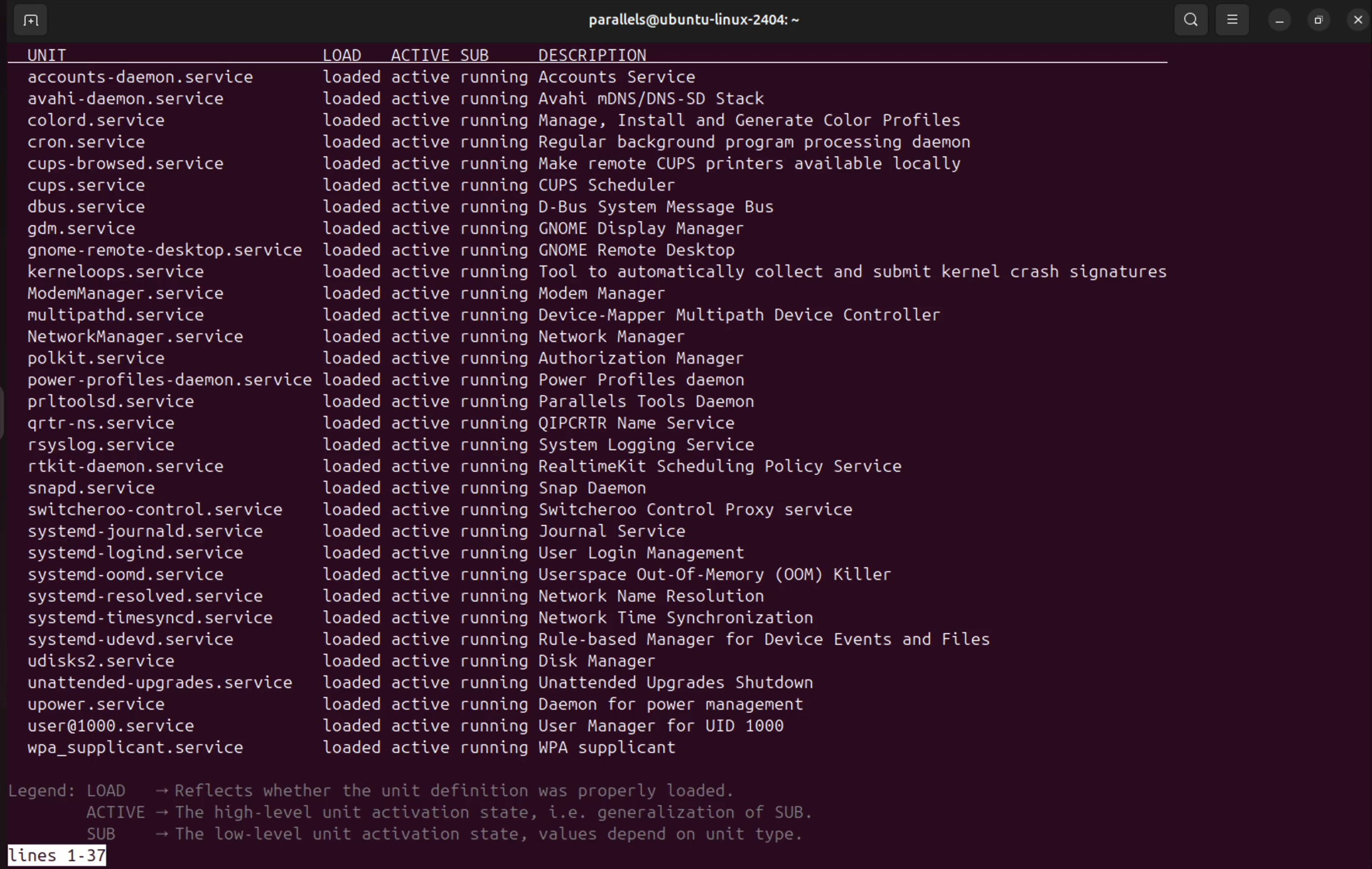  I want to click on polkt service, so click(153, 358).